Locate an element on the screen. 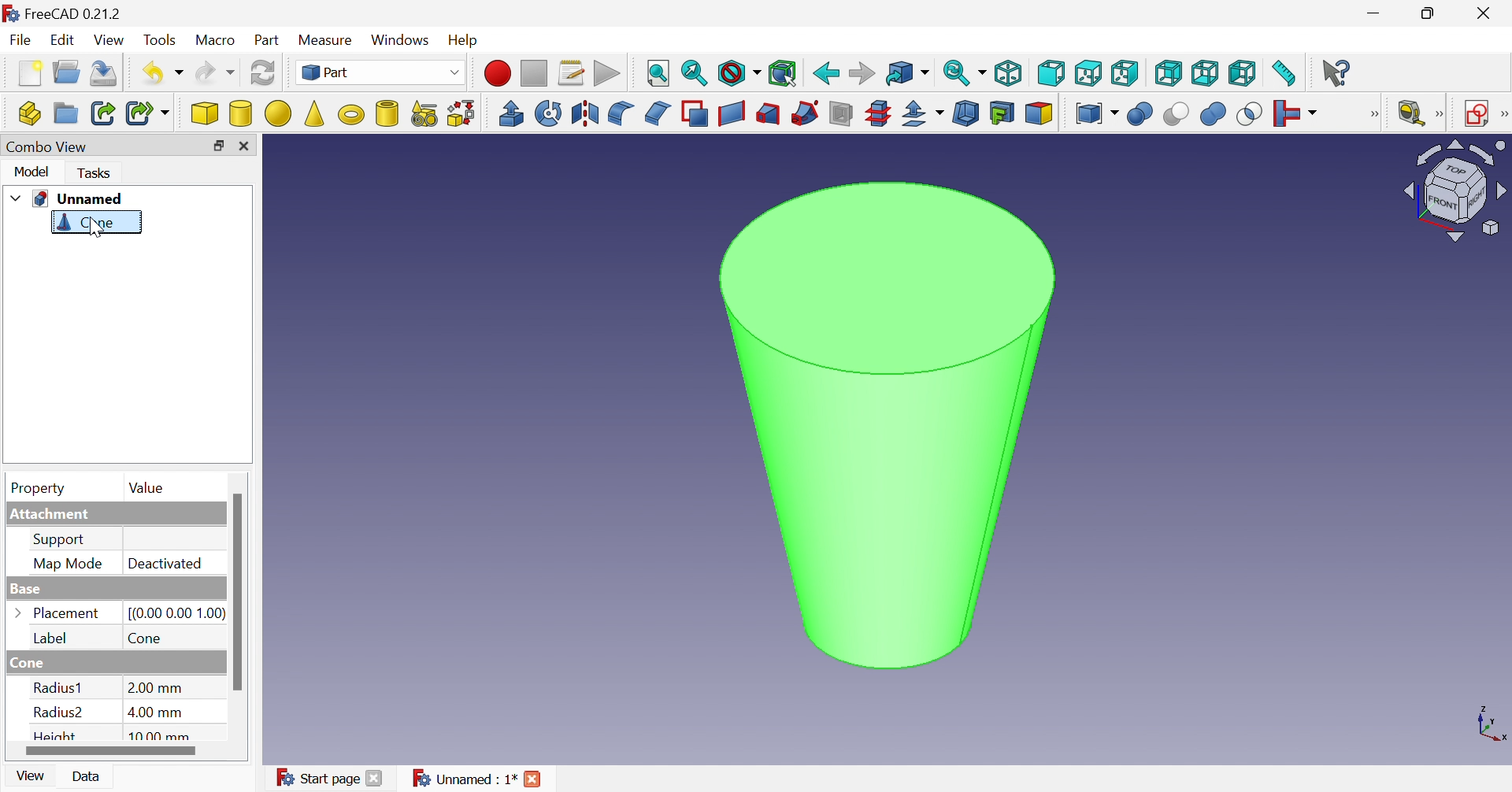 This screenshot has height=792, width=1512. Macro recording is located at coordinates (498, 73).